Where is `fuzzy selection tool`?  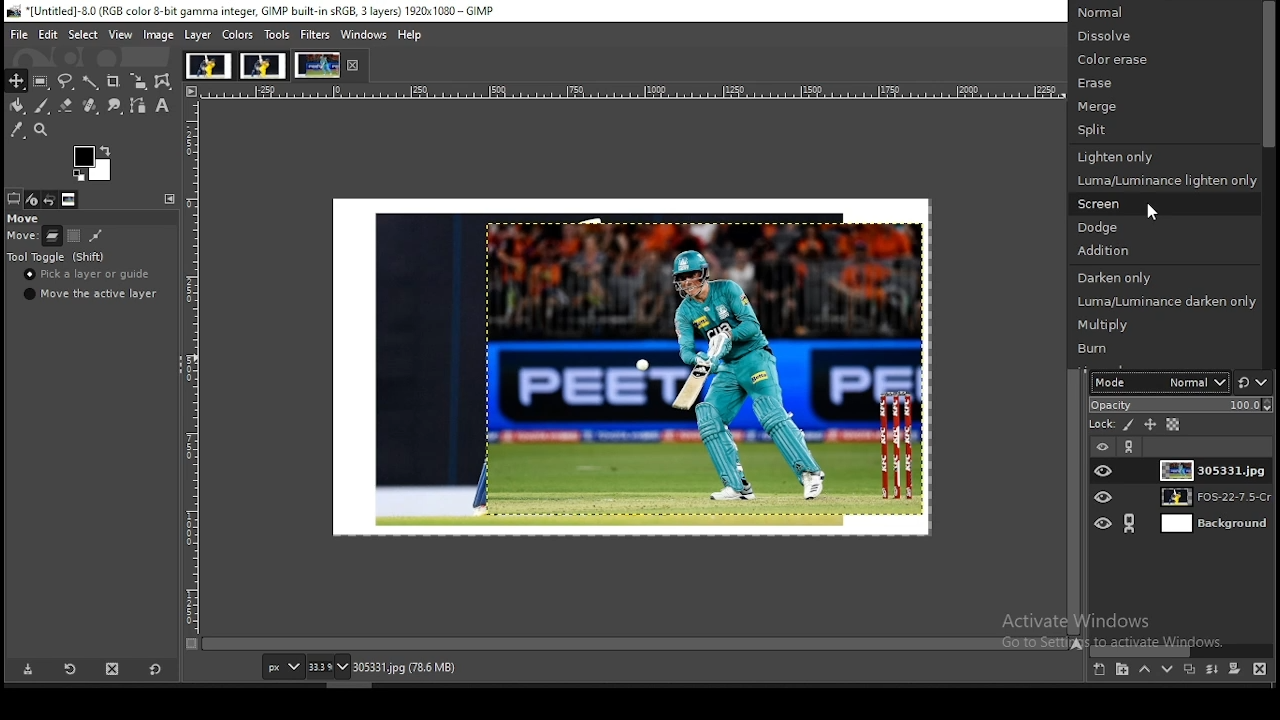
fuzzy selection tool is located at coordinates (90, 82).